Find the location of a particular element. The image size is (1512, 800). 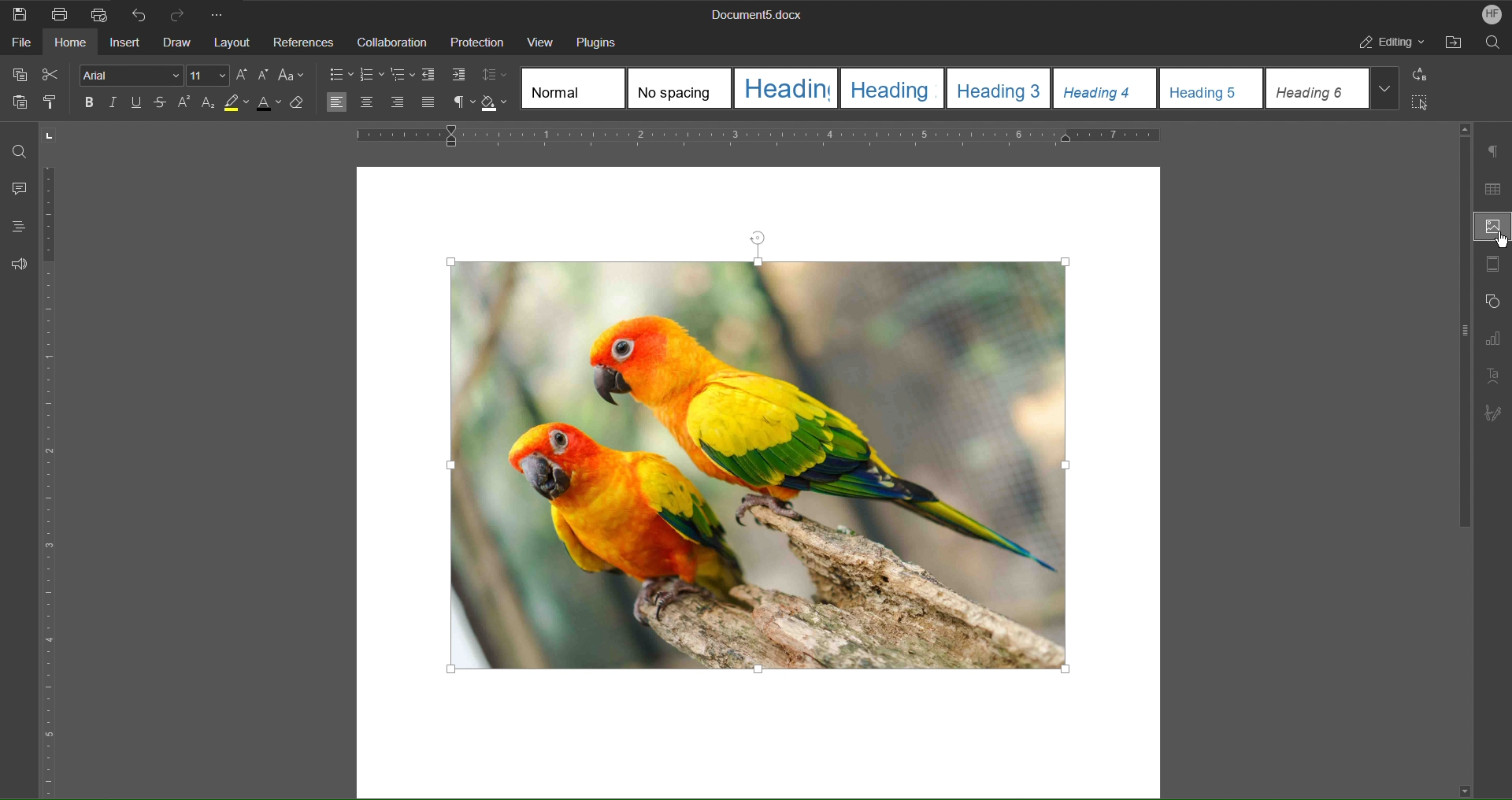

Table Settings is located at coordinates (1493, 189).